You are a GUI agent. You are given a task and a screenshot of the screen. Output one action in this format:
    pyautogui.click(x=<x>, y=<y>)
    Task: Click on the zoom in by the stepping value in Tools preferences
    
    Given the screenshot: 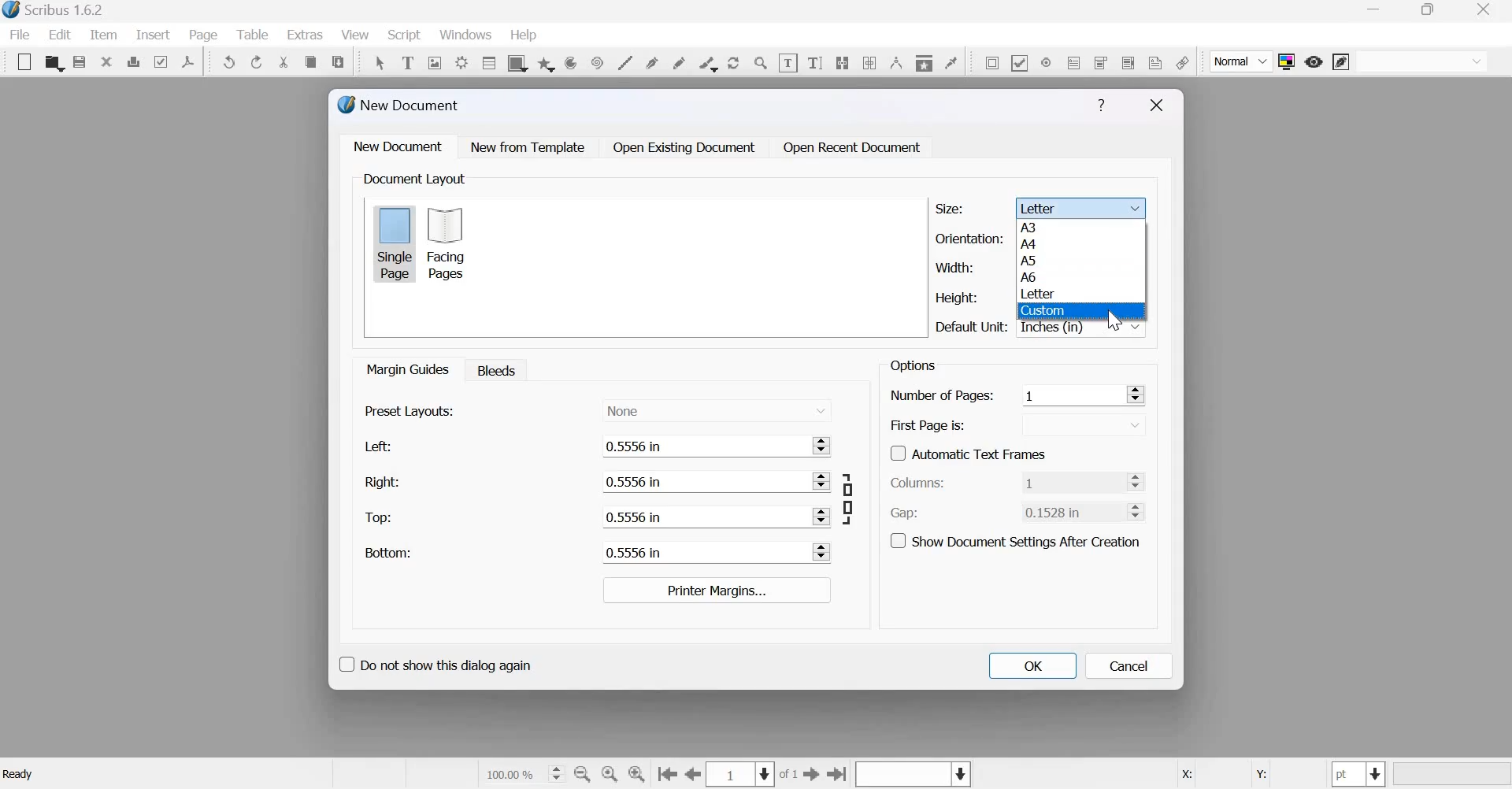 What is the action you would take?
    pyautogui.click(x=638, y=774)
    